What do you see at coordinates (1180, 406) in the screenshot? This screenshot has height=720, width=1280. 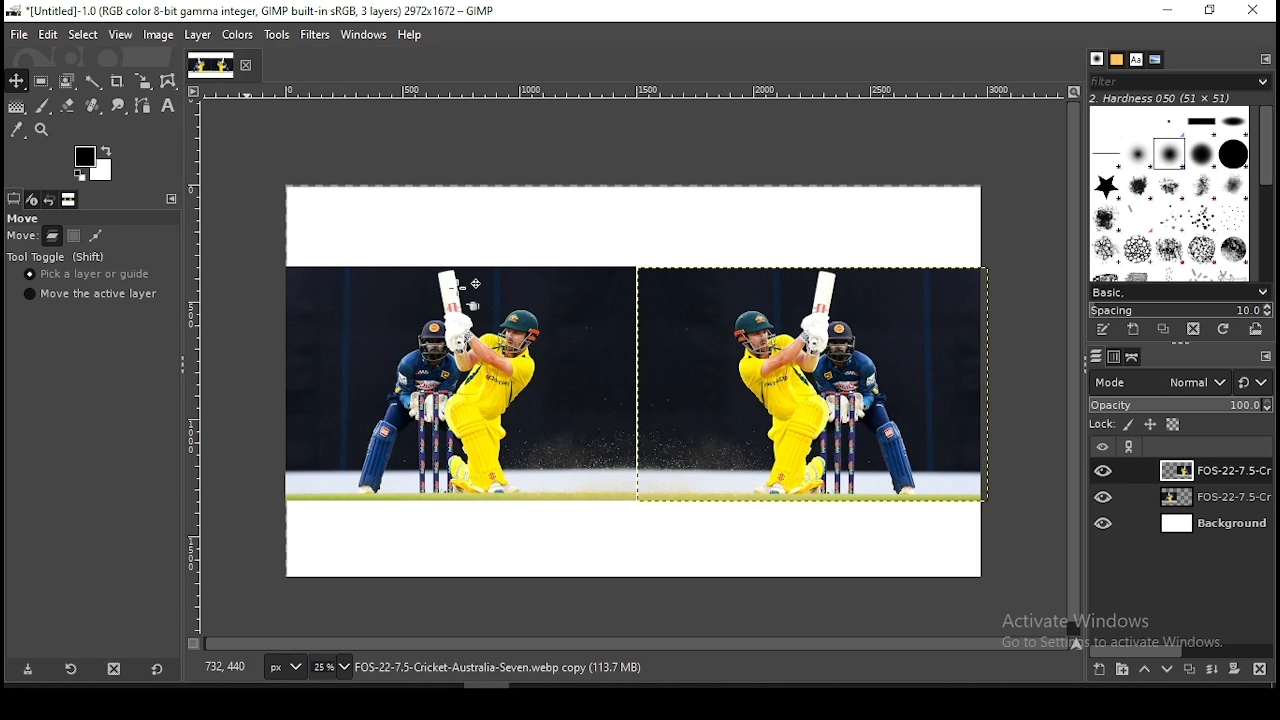 I see `opacity` at bounding box center [1180, 406].